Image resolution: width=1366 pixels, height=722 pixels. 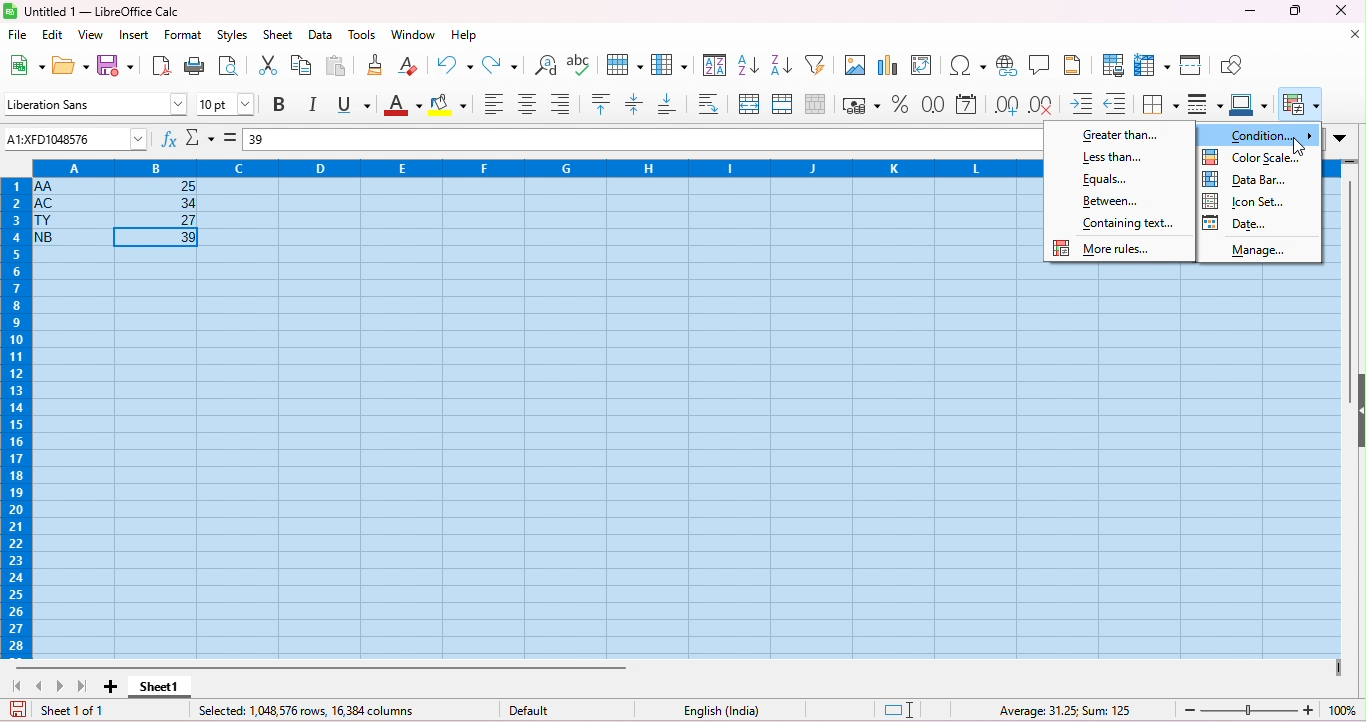 What do you see at coordinates (934, 104) in the screenshot?
I see `format as number` at bounding box center [934, 104].